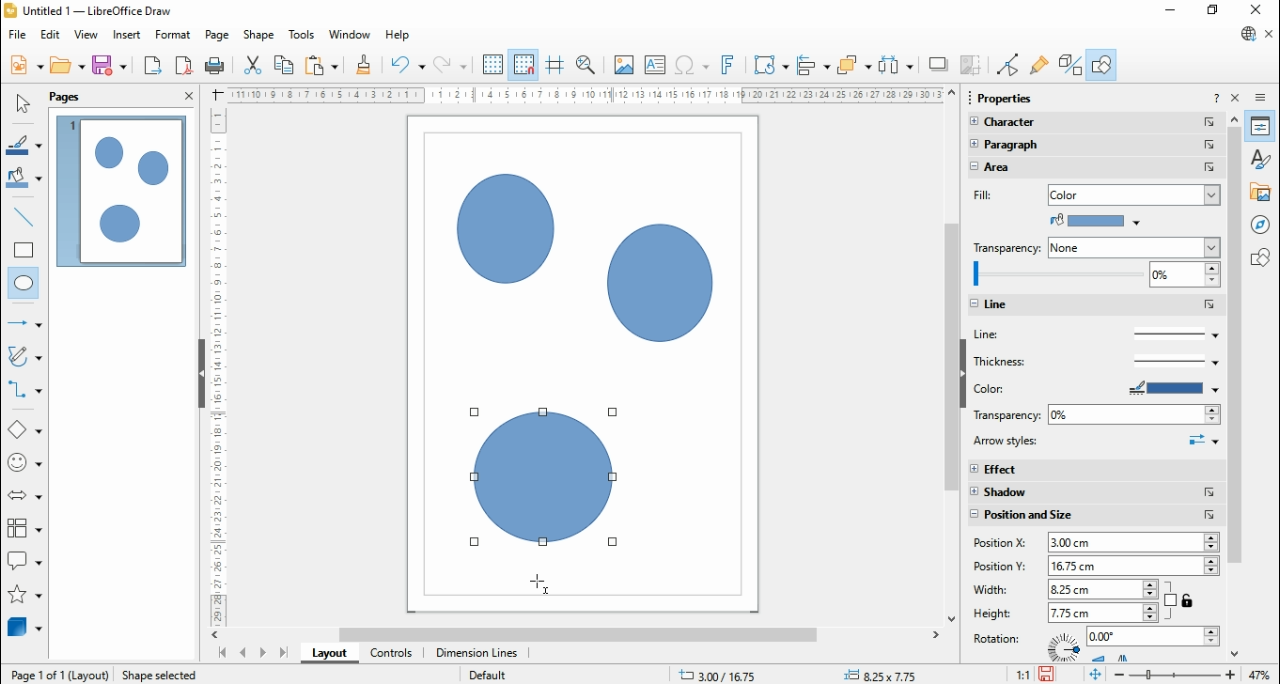 The width and height of the screenshot is (1280, 684). I want to click on Properties, so click(1005, 98).